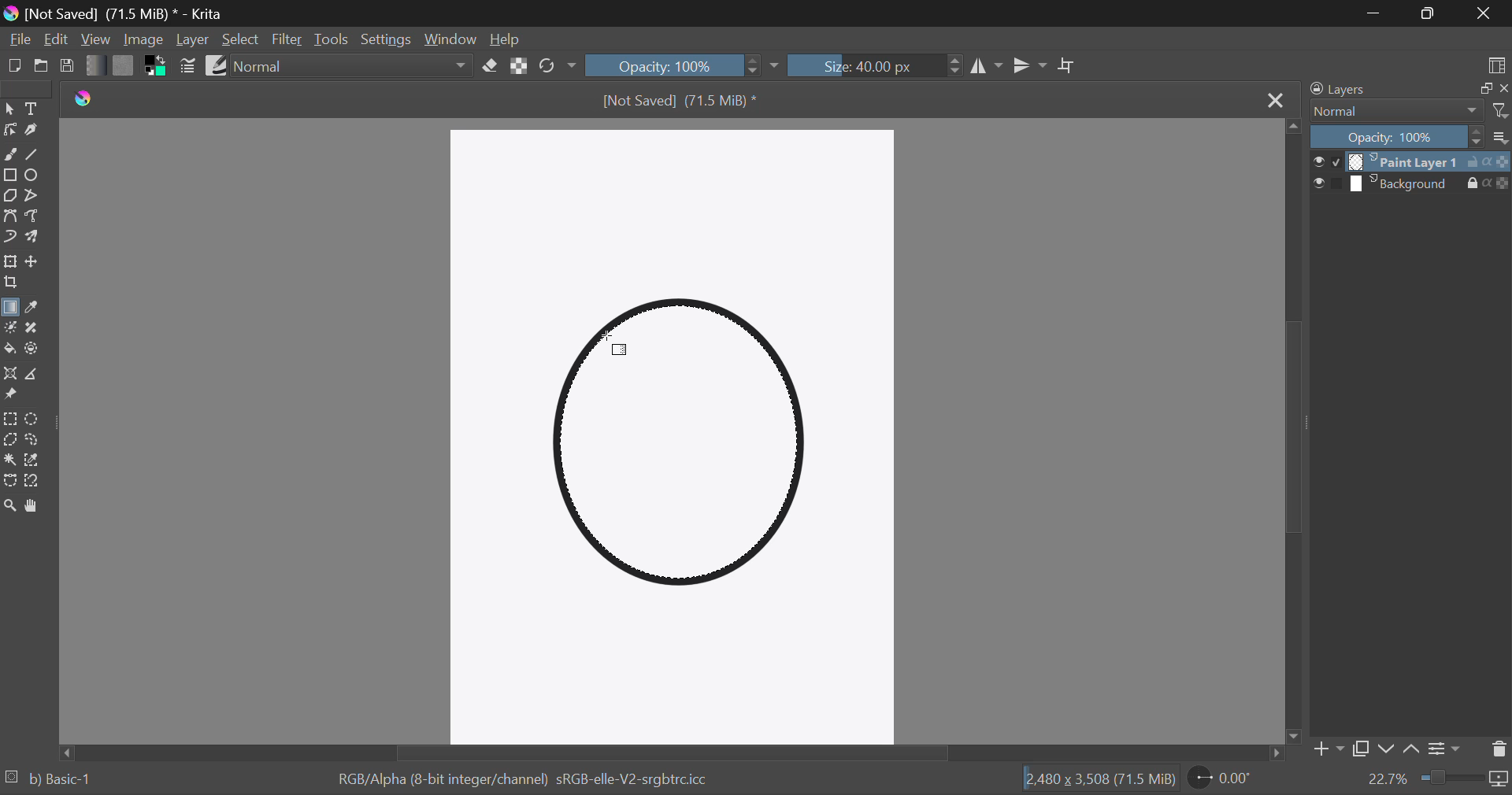 The width and height of the screenshot is (1512, 795). What do you see at coordinates (670, 755) in the screenshot?
I see `Scroll Bar` at bounding box center [670, 755].